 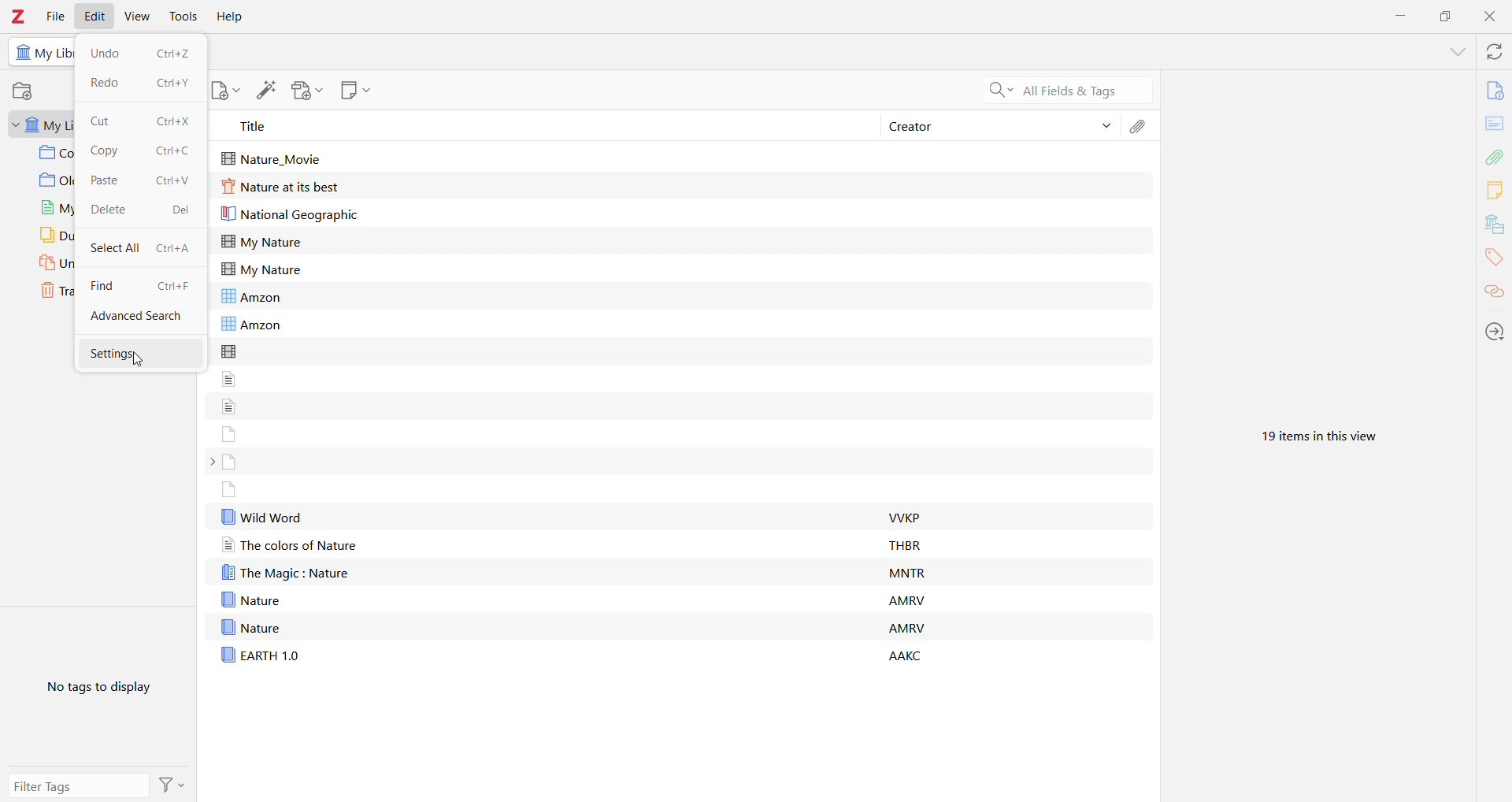 I want to click on file without title, so click(x=230, y=462).